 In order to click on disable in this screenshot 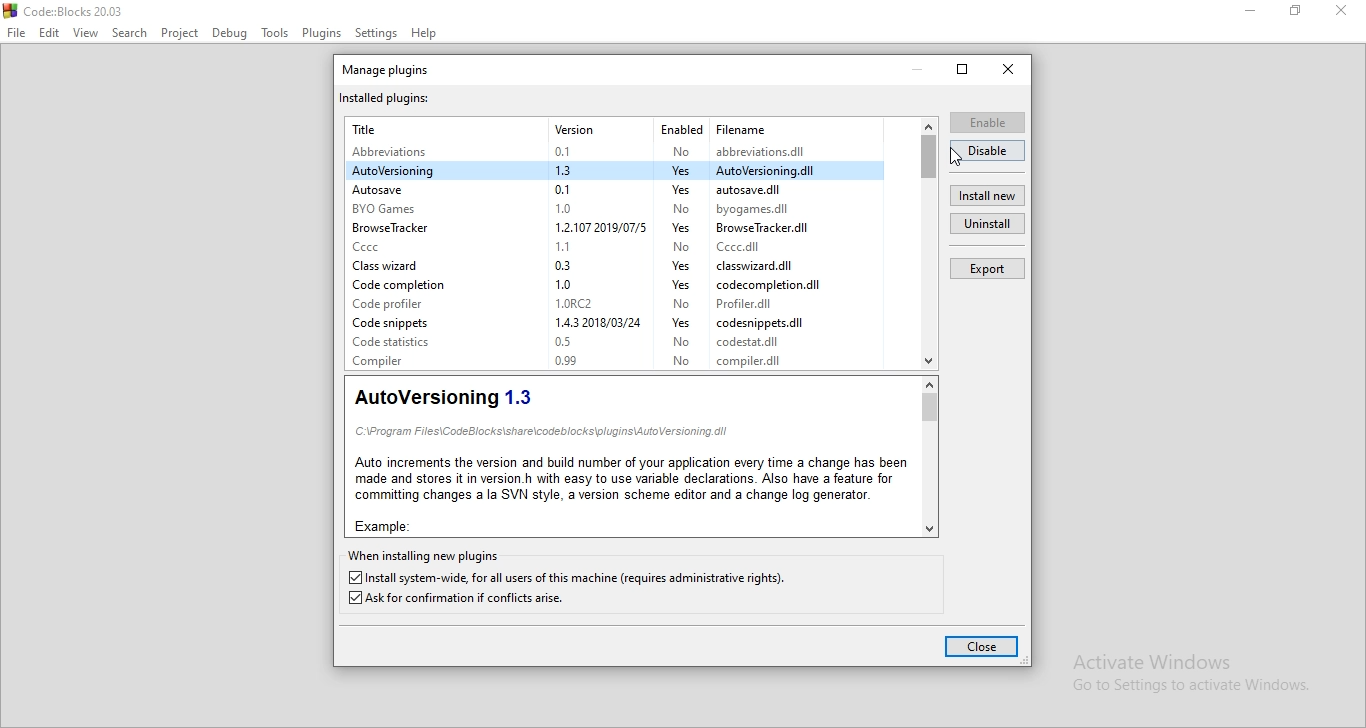, I will do `click(987, 151)`.